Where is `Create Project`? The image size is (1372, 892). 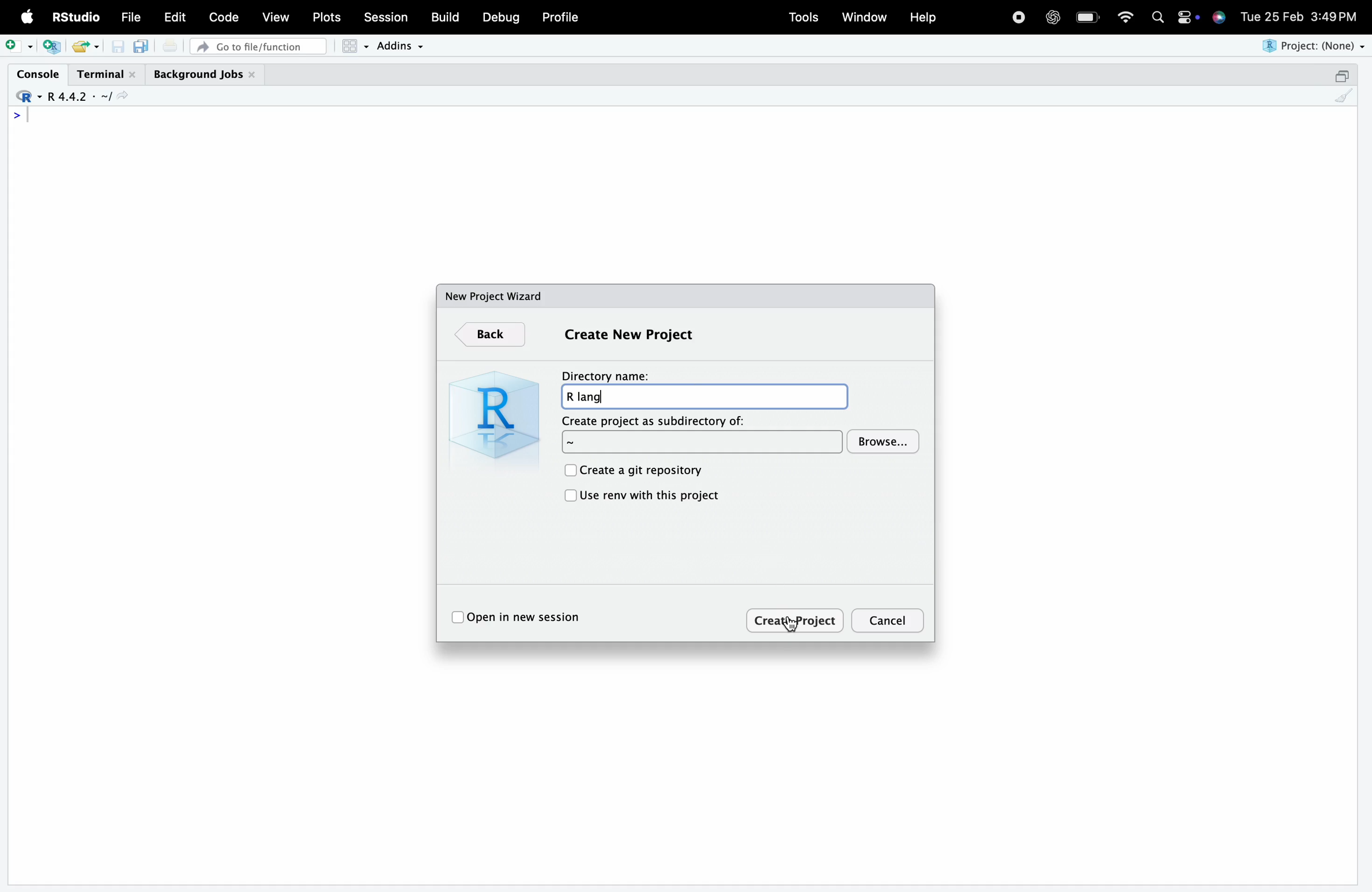
Create Project is located at coordinates (796, 619).